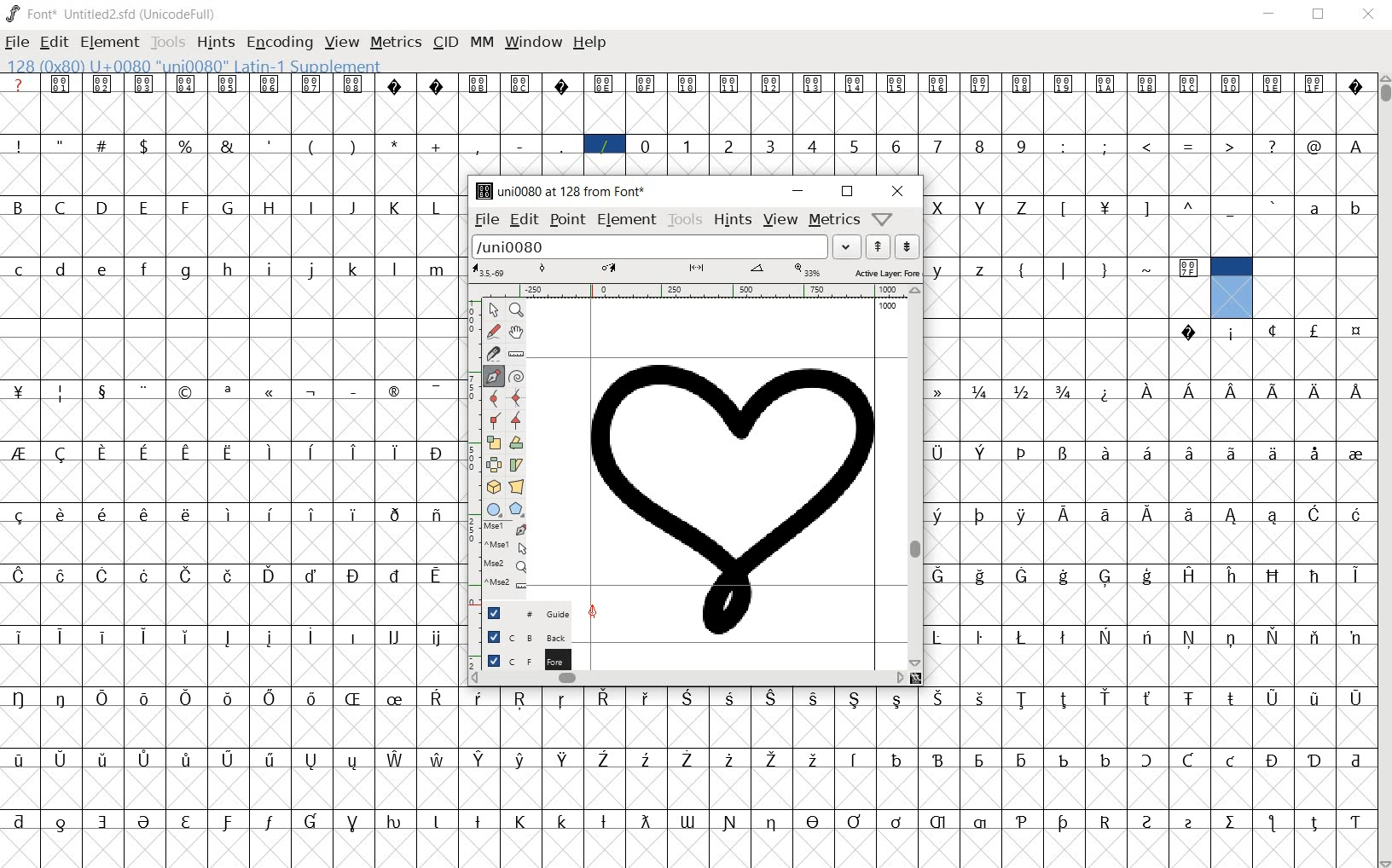  Describe the element at coordinates (102, 453) in the screenshot. I see `glyph` at that location.